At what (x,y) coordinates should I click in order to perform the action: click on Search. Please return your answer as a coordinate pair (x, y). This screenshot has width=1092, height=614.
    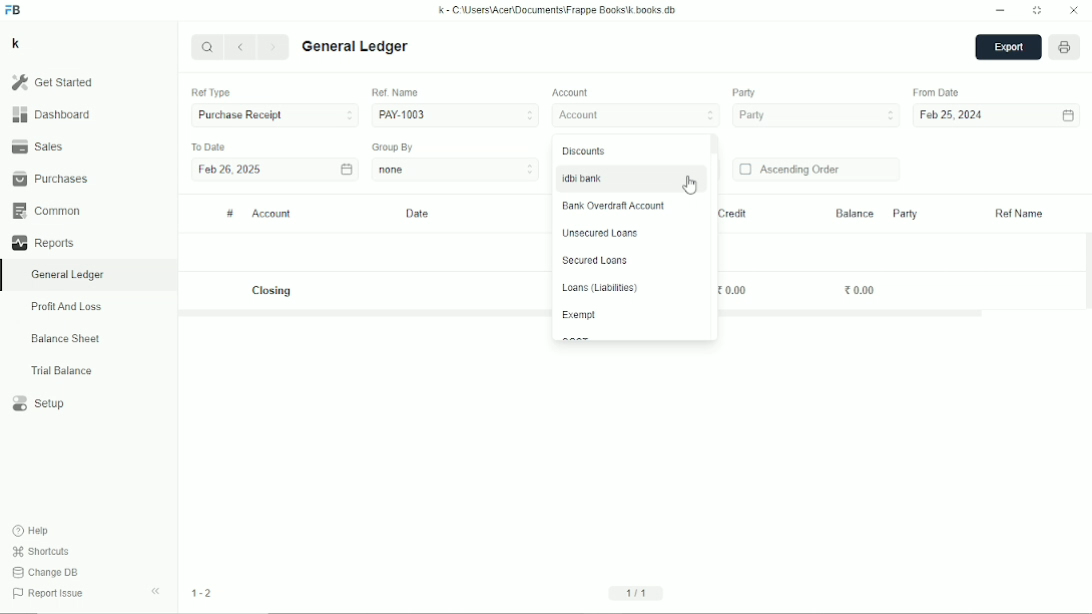
    Looking at the image, I should click on (207, 46).